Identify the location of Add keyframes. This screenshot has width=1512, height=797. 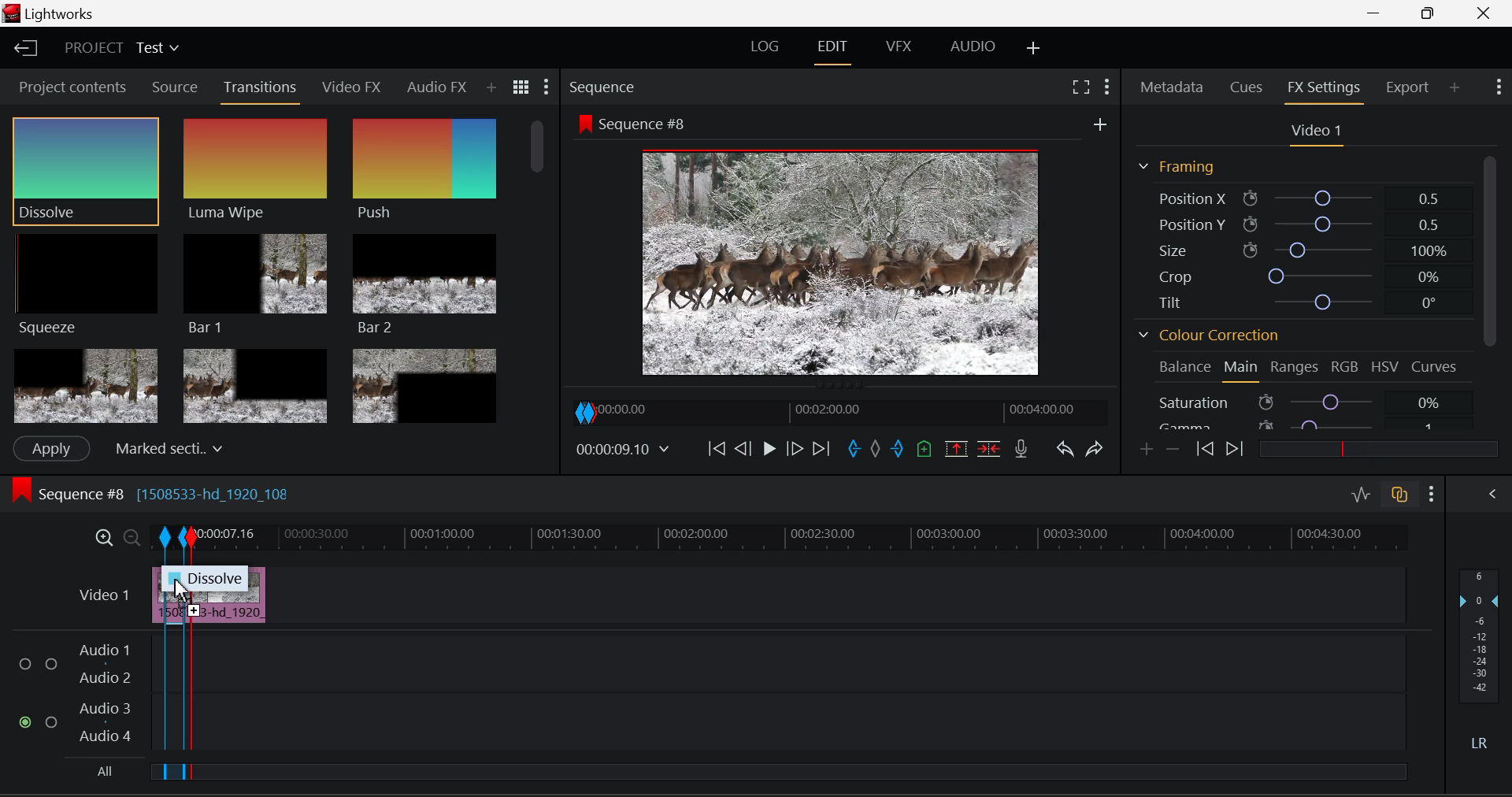
(1147, 450).